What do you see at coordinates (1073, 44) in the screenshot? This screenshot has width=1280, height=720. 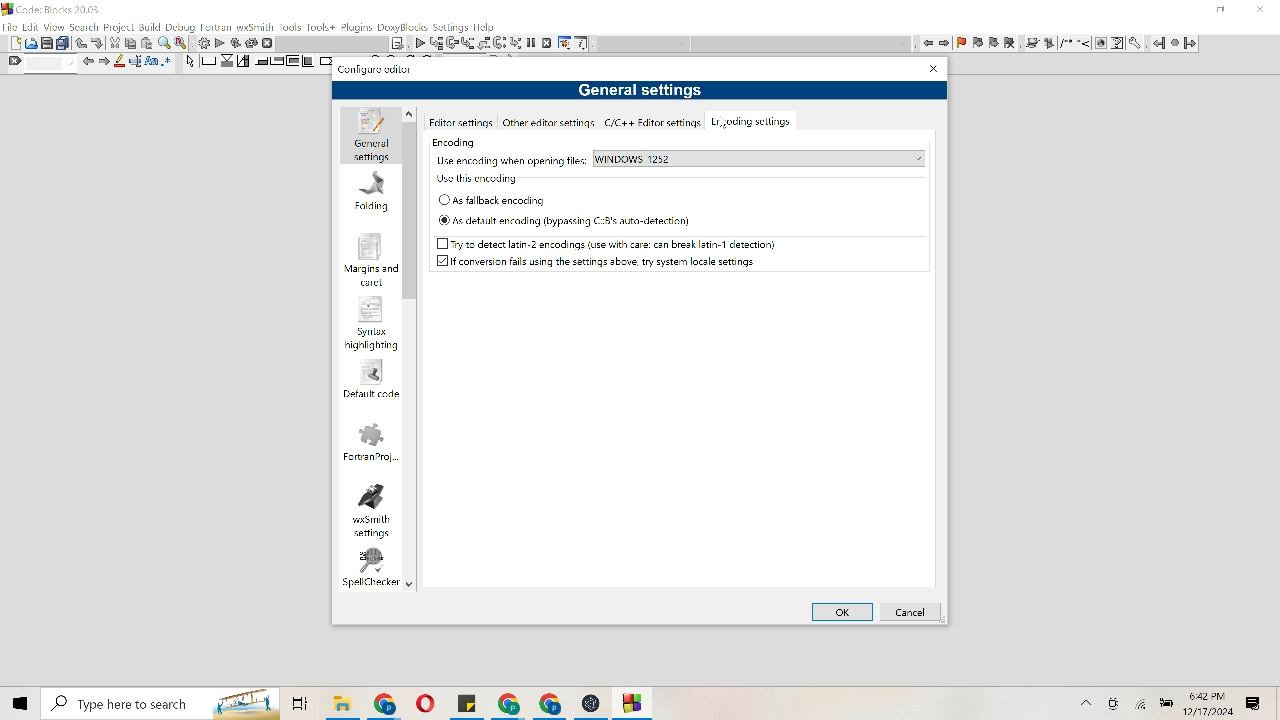 I see `changes to image` at bounding box center [1073, 44].